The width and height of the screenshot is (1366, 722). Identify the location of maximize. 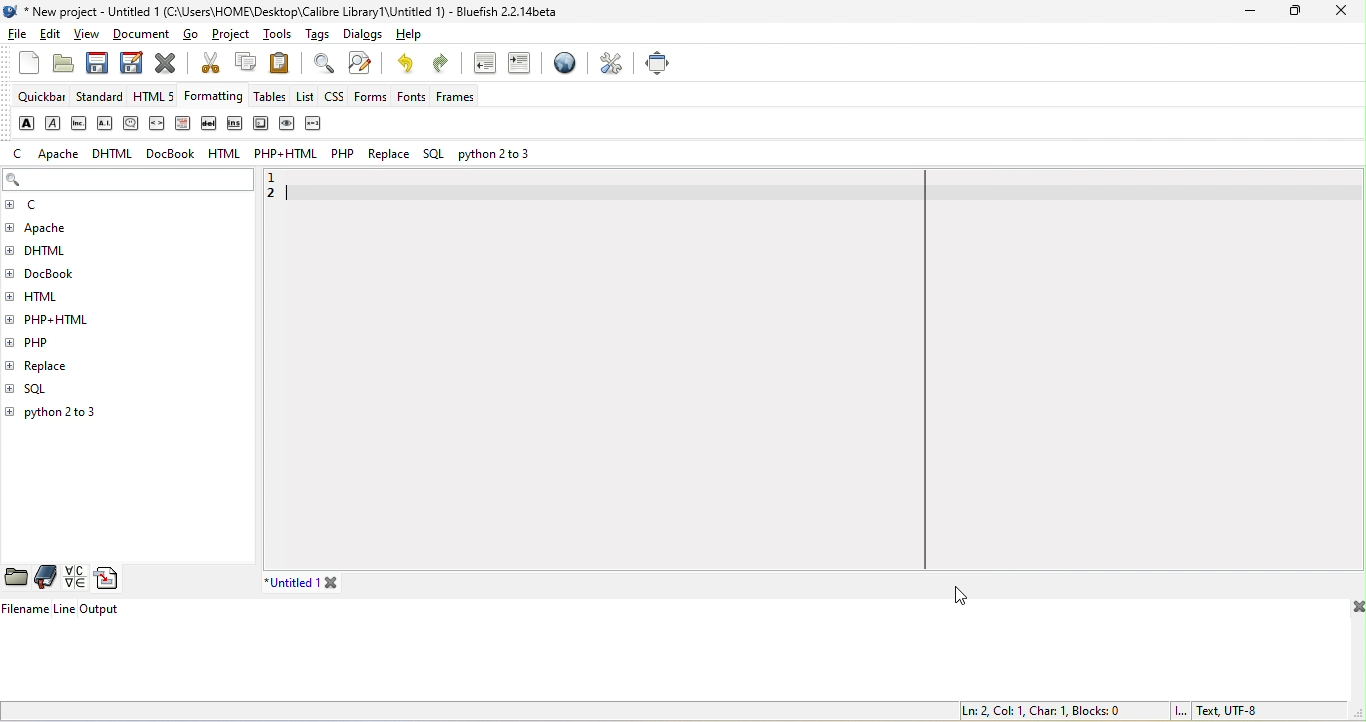
(1296, 13).